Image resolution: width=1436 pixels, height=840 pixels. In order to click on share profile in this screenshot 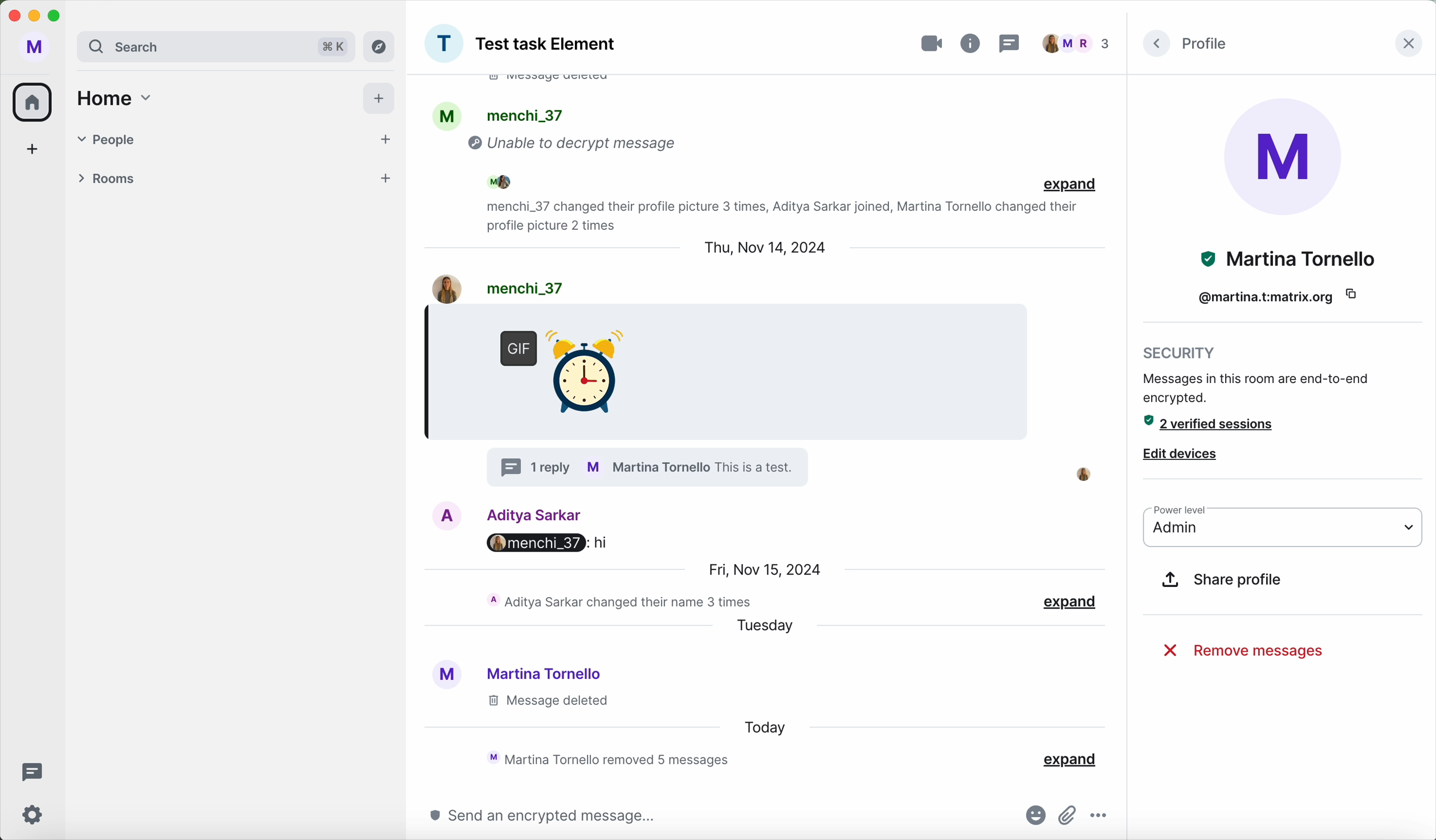, I will do `click(1222, 581)`.